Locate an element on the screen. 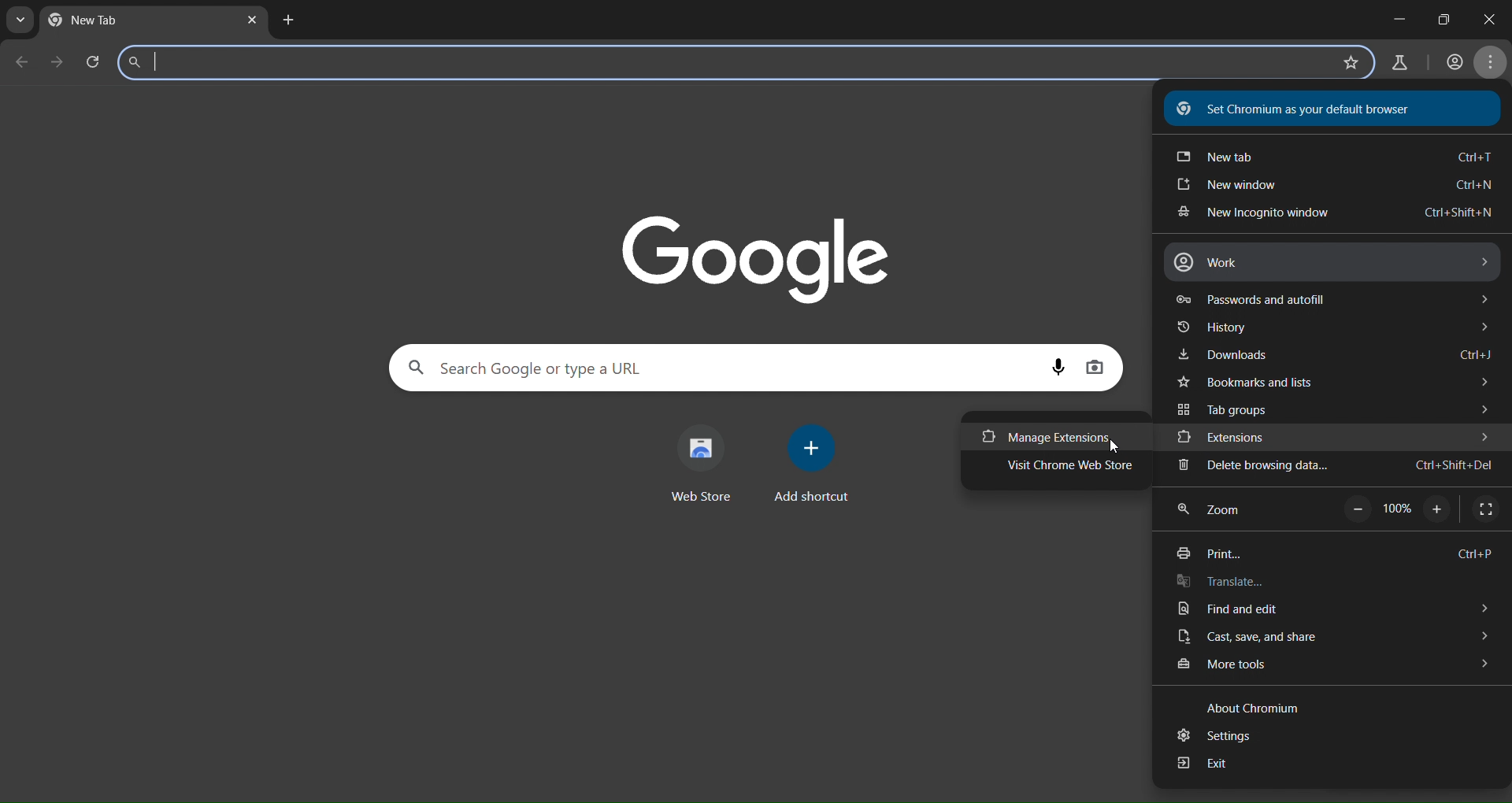 This screenshot has width=1512, height=803. web store is located at coordinates (703, 458).